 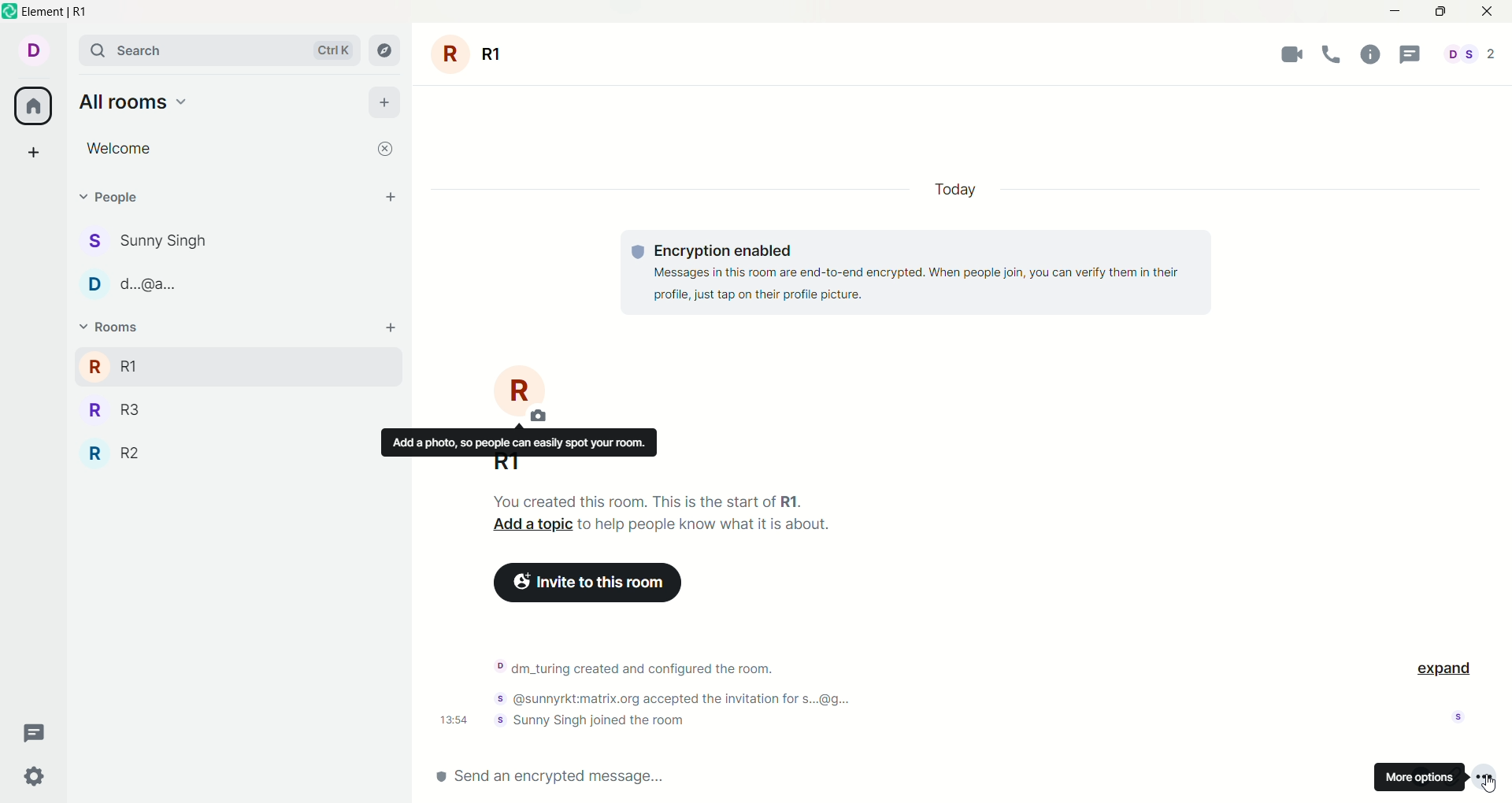 What do you see at coordinates (873, 777) in the screenshot?
I see `send an encrypted message` at bounding box center [873, 777].